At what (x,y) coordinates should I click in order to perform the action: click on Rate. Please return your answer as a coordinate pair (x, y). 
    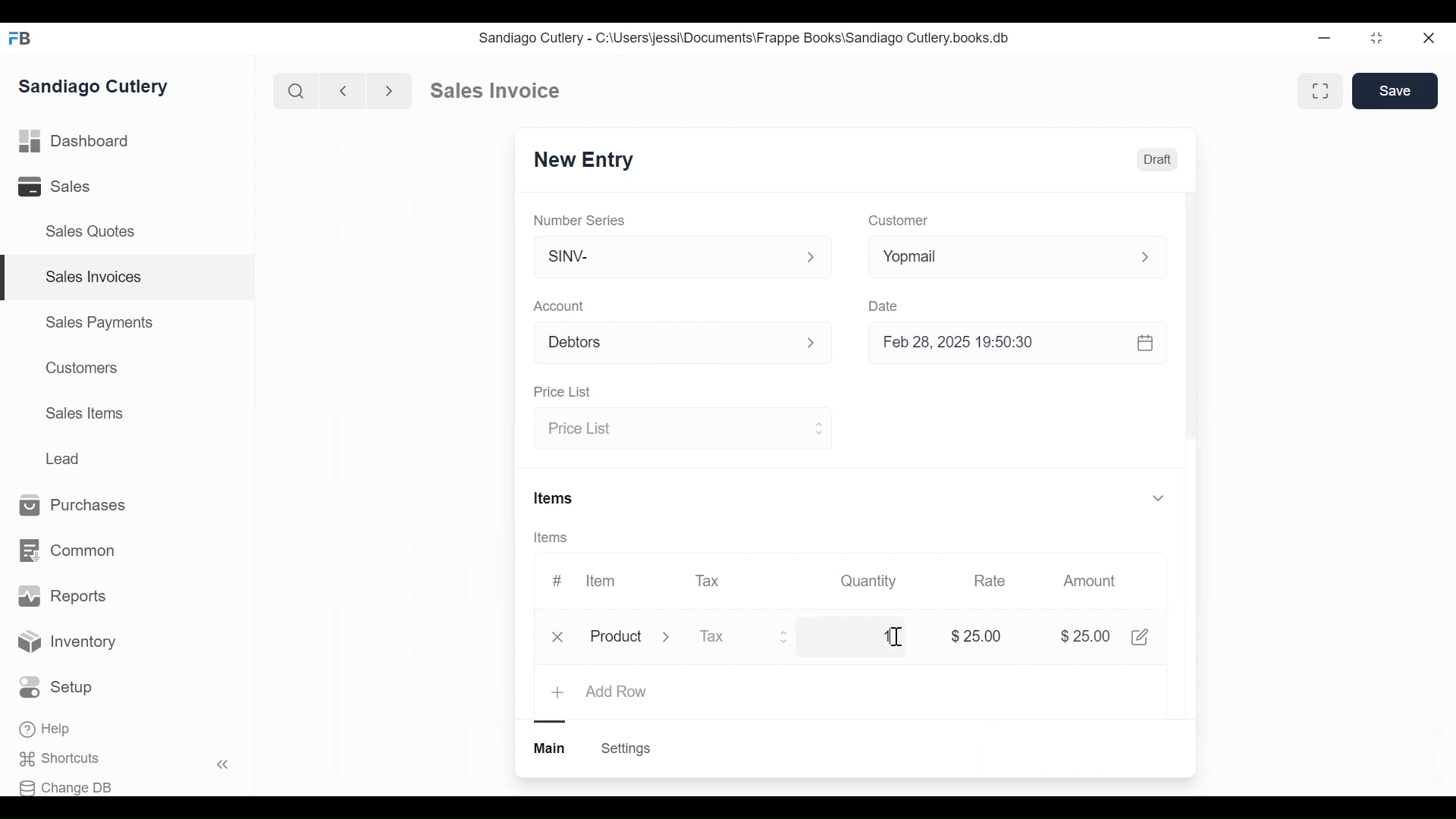
    Looking at the image, I should click on (990, 581).